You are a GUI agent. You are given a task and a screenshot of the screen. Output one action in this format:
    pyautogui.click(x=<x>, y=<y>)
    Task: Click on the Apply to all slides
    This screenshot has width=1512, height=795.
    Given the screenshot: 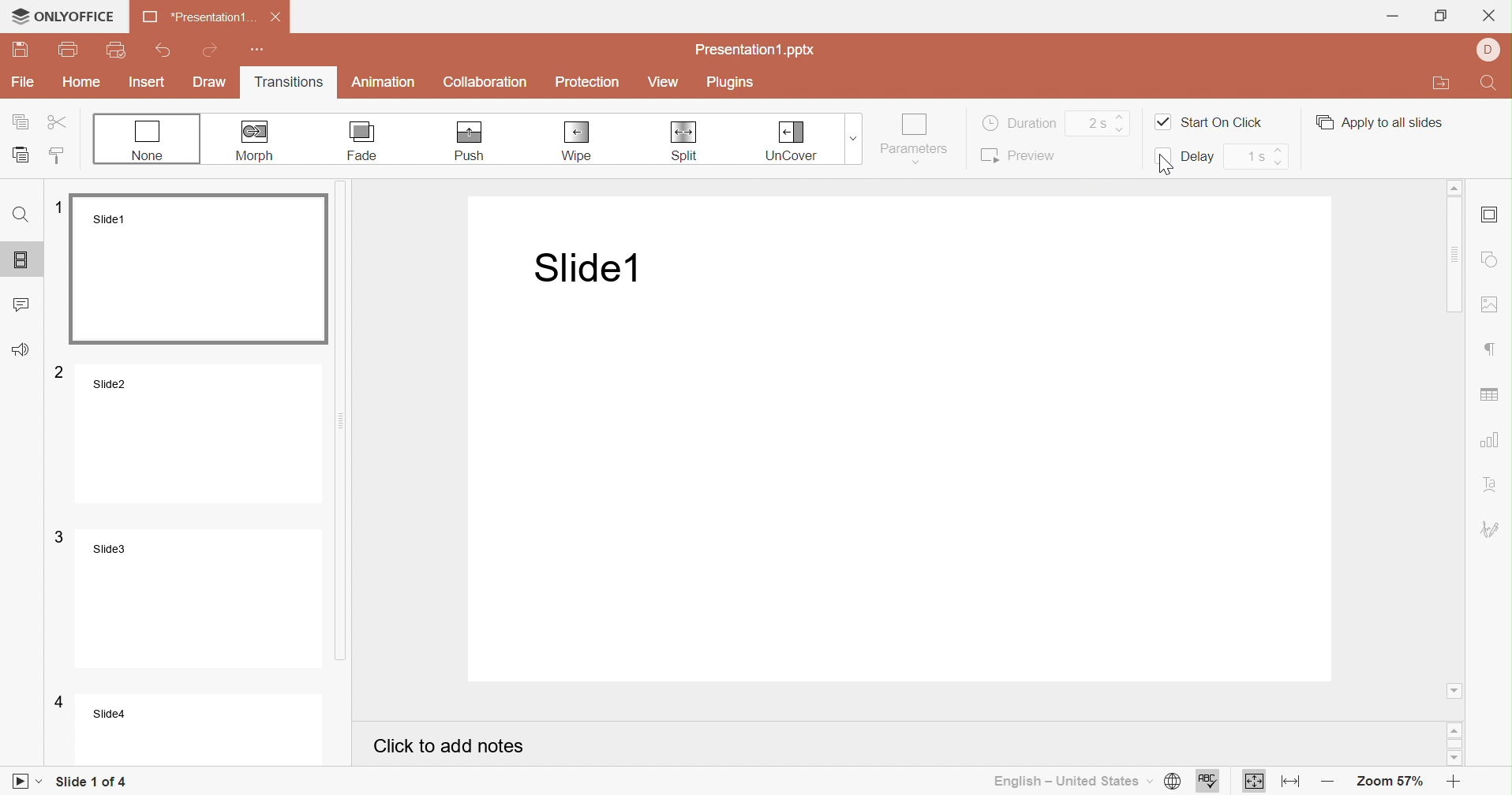 What is the action you would take?
    pyautogui.click(x=1381, y=122)
    